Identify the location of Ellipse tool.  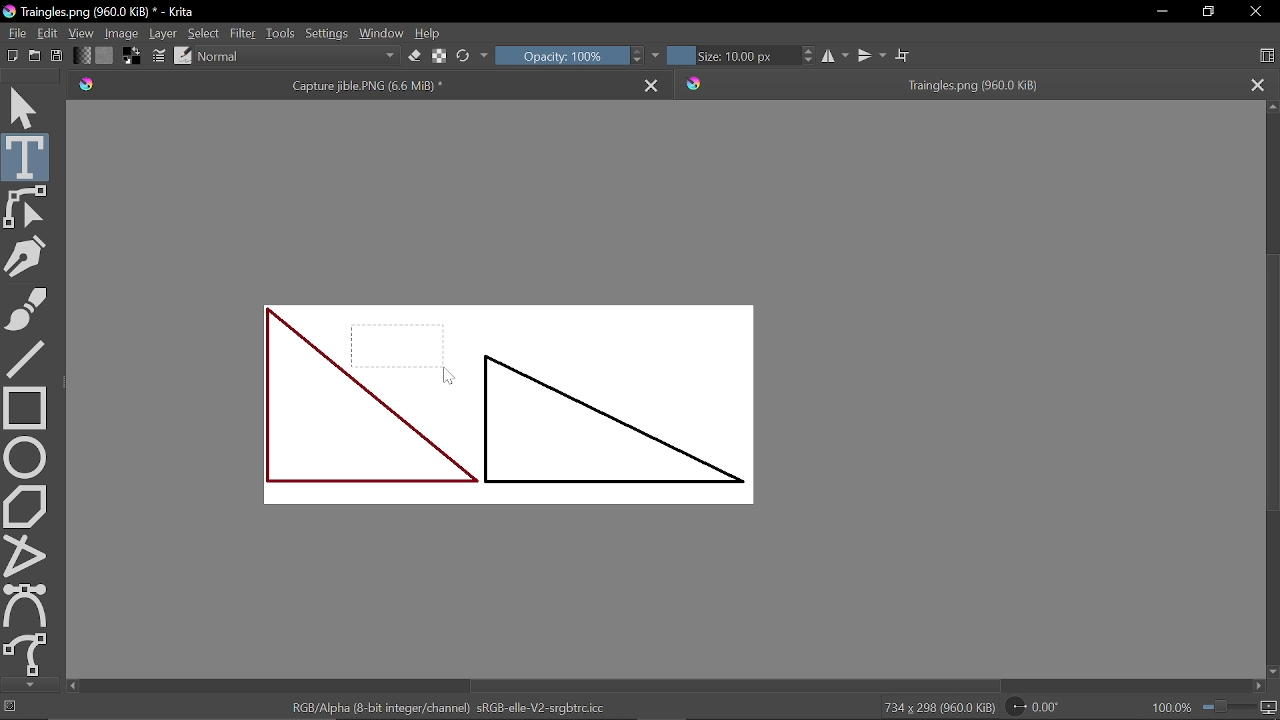
(25, 457).